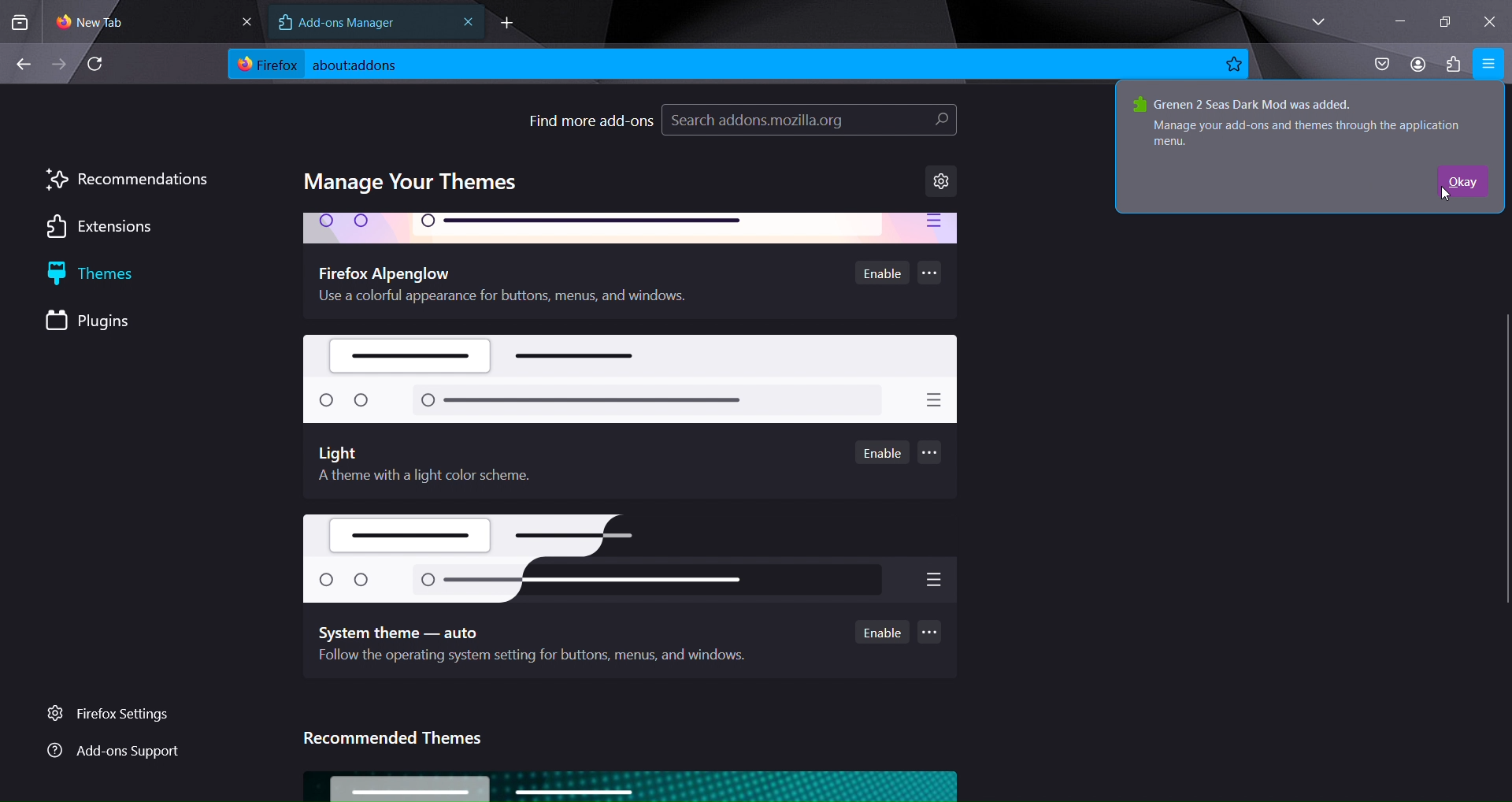  Describe the element at coordinates (242, 20) in the screenshot. I see `close` at that location.